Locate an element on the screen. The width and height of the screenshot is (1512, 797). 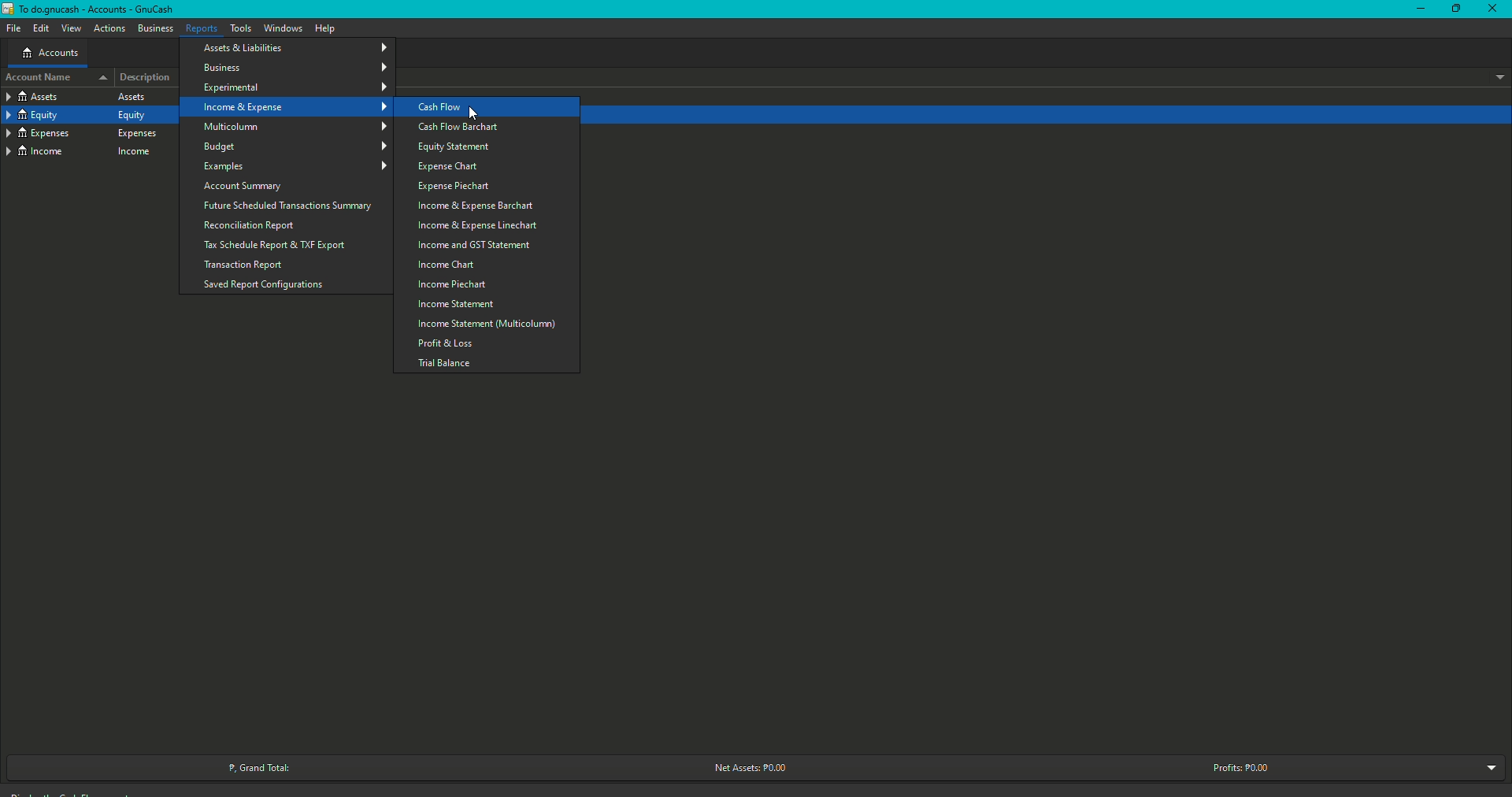
Reconciliation Report is located at coordinates (253, 227).